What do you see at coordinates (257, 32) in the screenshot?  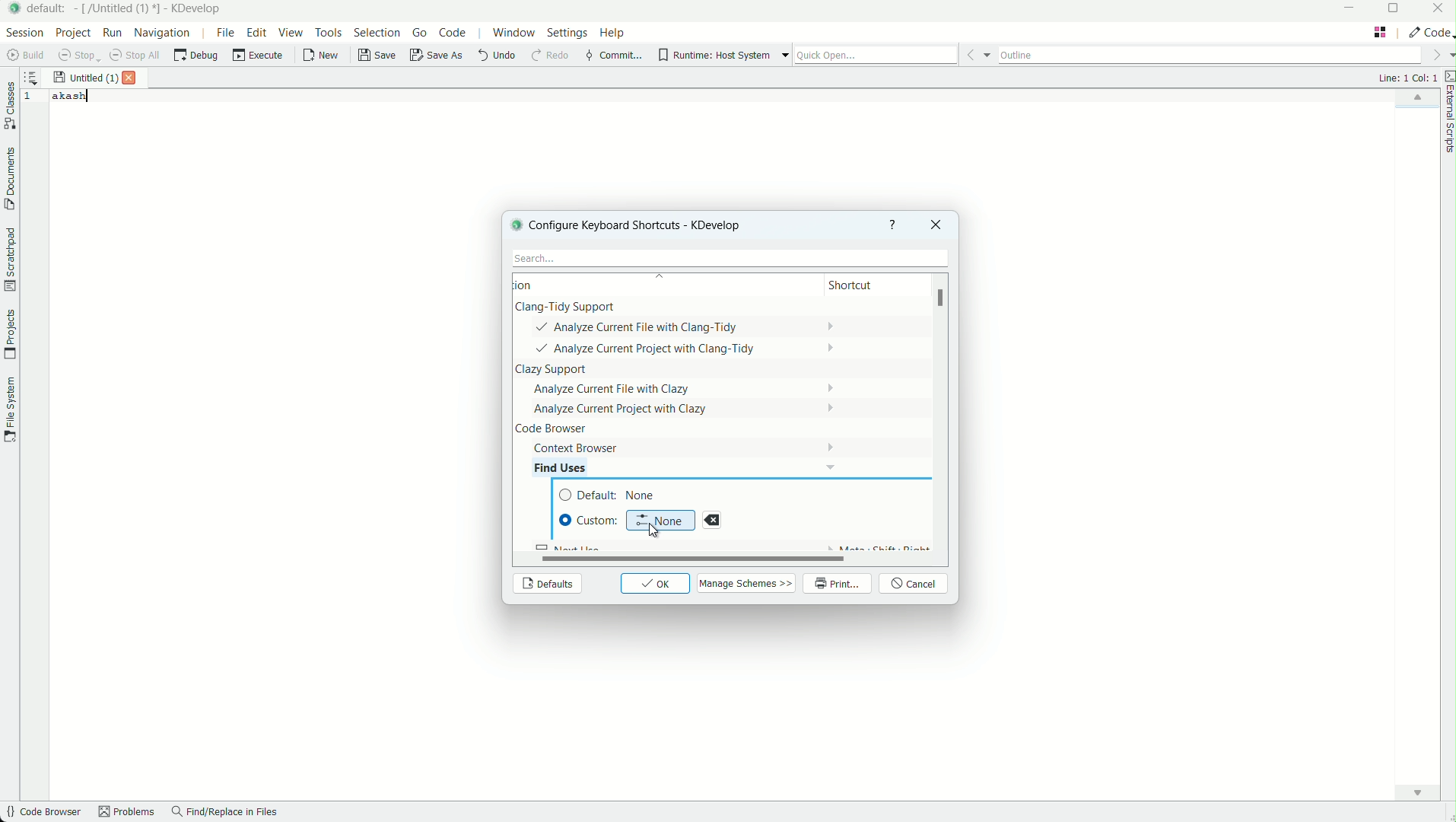 I see `edit menu` at bounding box center [257, 32].